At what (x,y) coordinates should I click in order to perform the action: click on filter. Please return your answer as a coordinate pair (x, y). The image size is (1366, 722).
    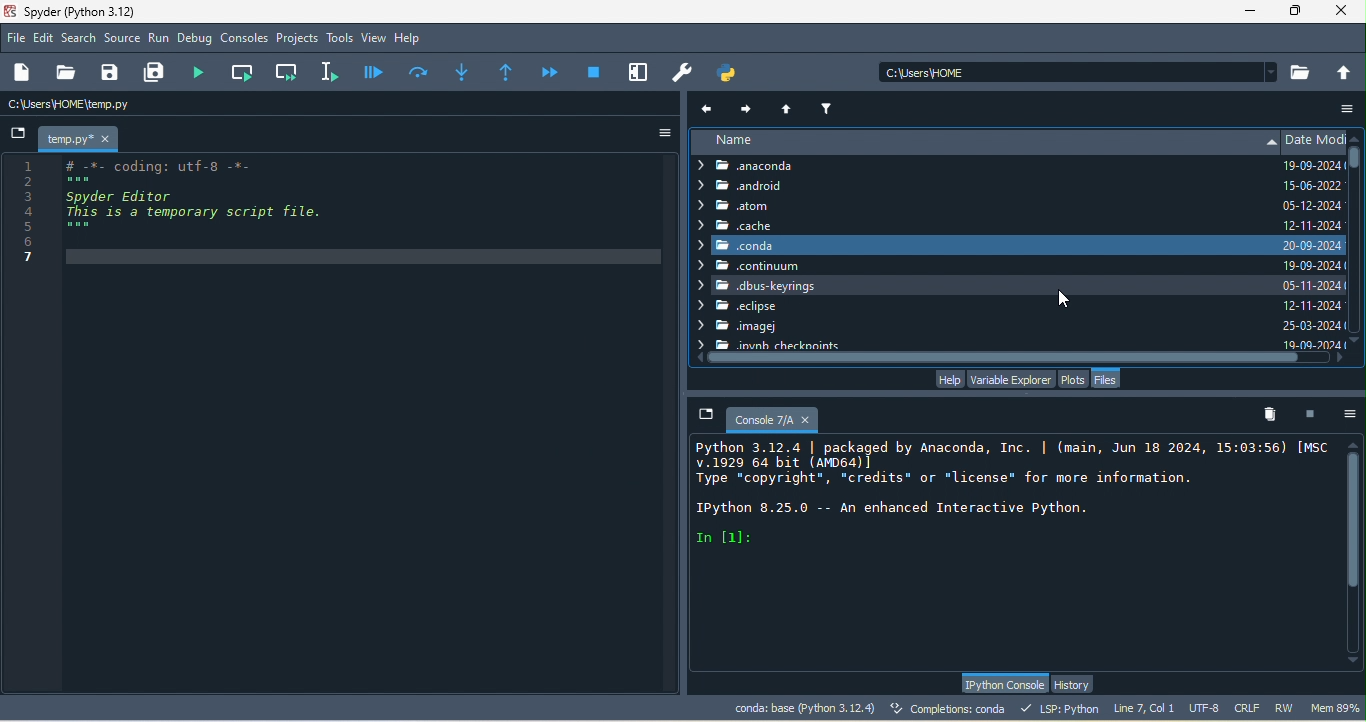
    Looking at the image, I should click on (829, 106).